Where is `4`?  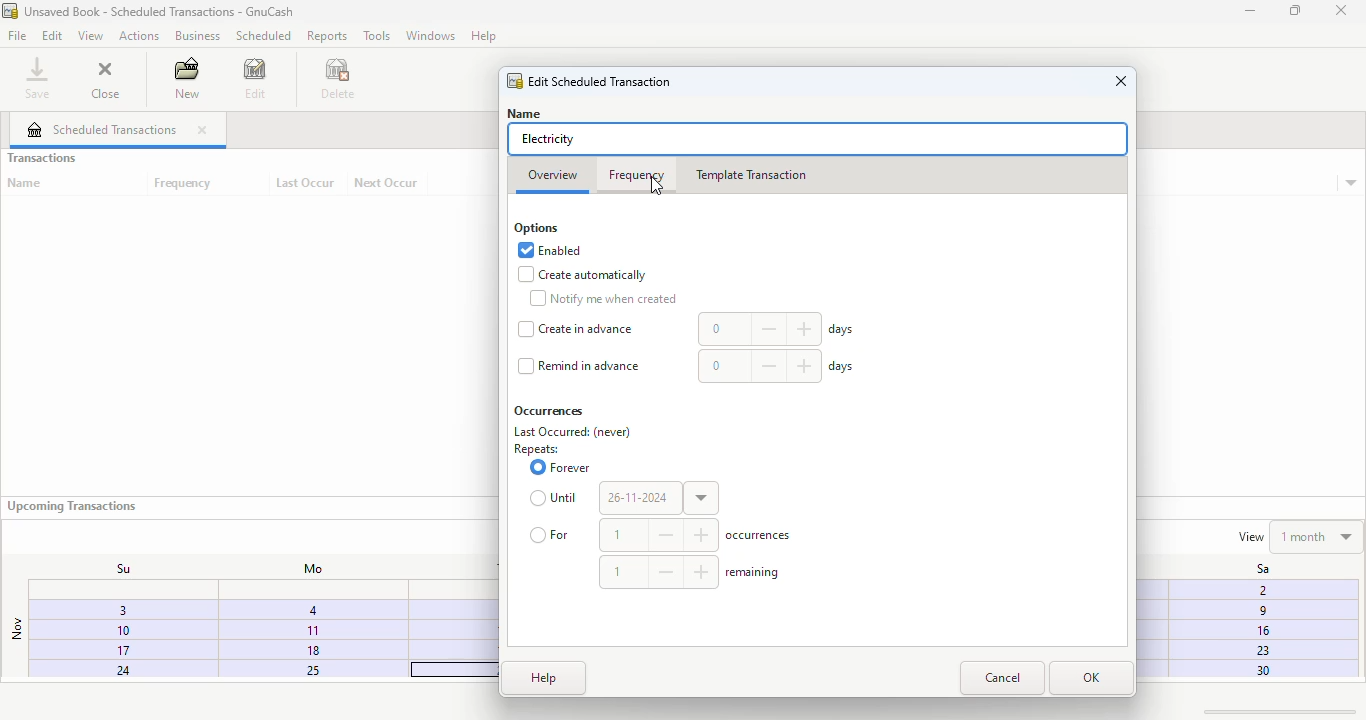
4 is located at coordinates (312, 609).